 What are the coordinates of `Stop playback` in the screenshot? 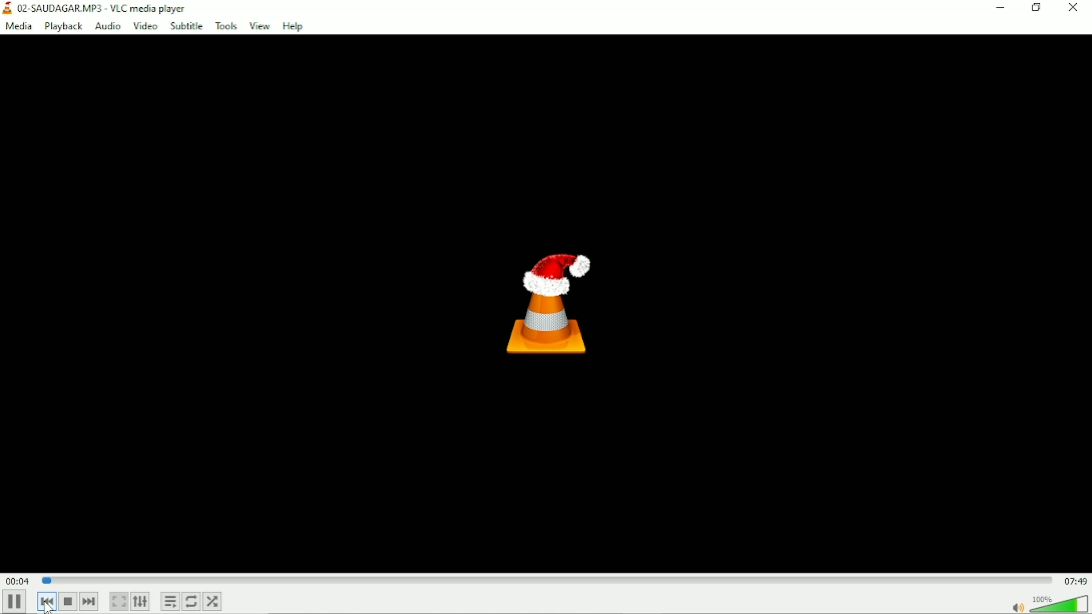 It's located at (68, 601).